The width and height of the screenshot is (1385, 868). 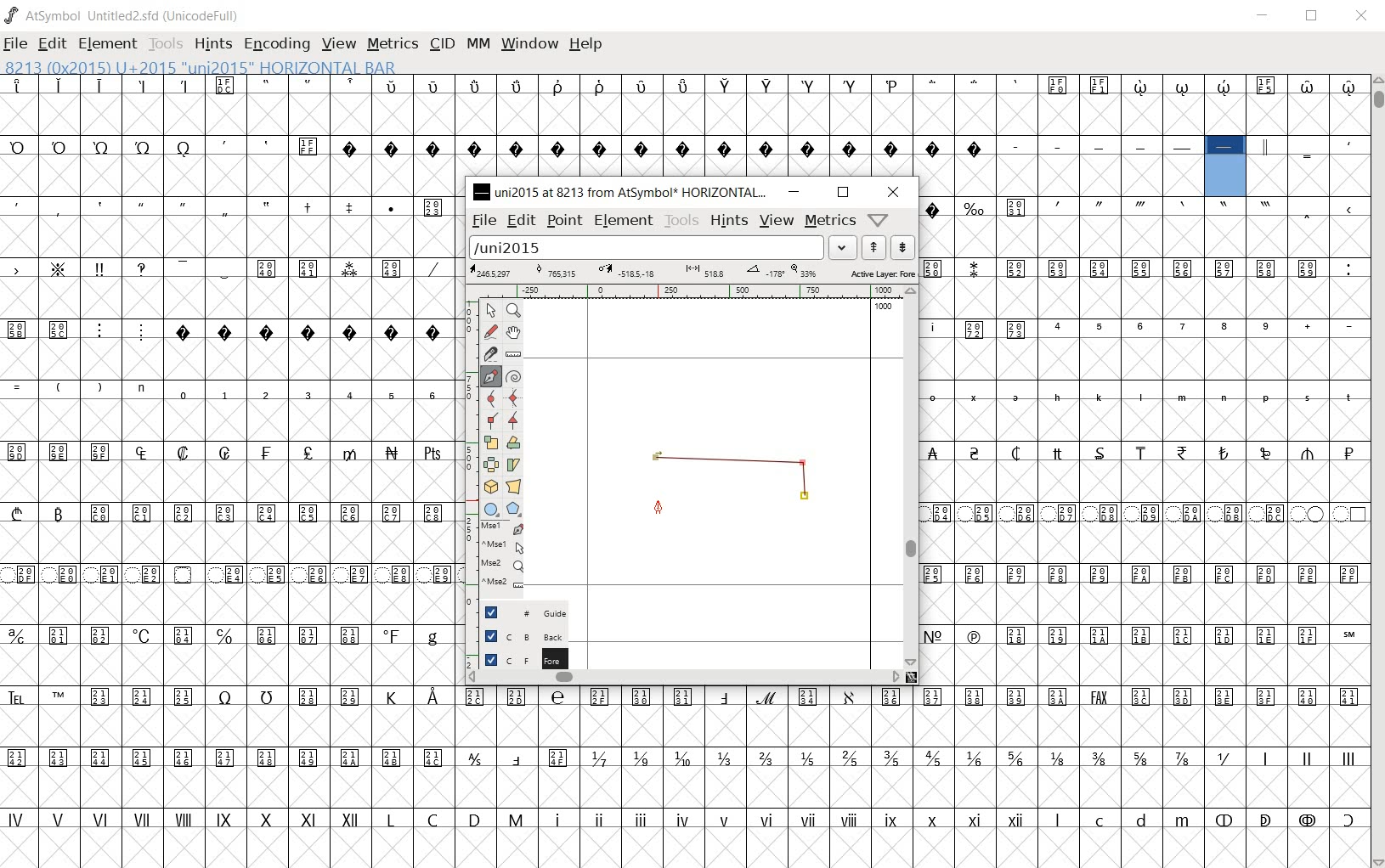 I want to click on FILE, so click(x=18, y=42).